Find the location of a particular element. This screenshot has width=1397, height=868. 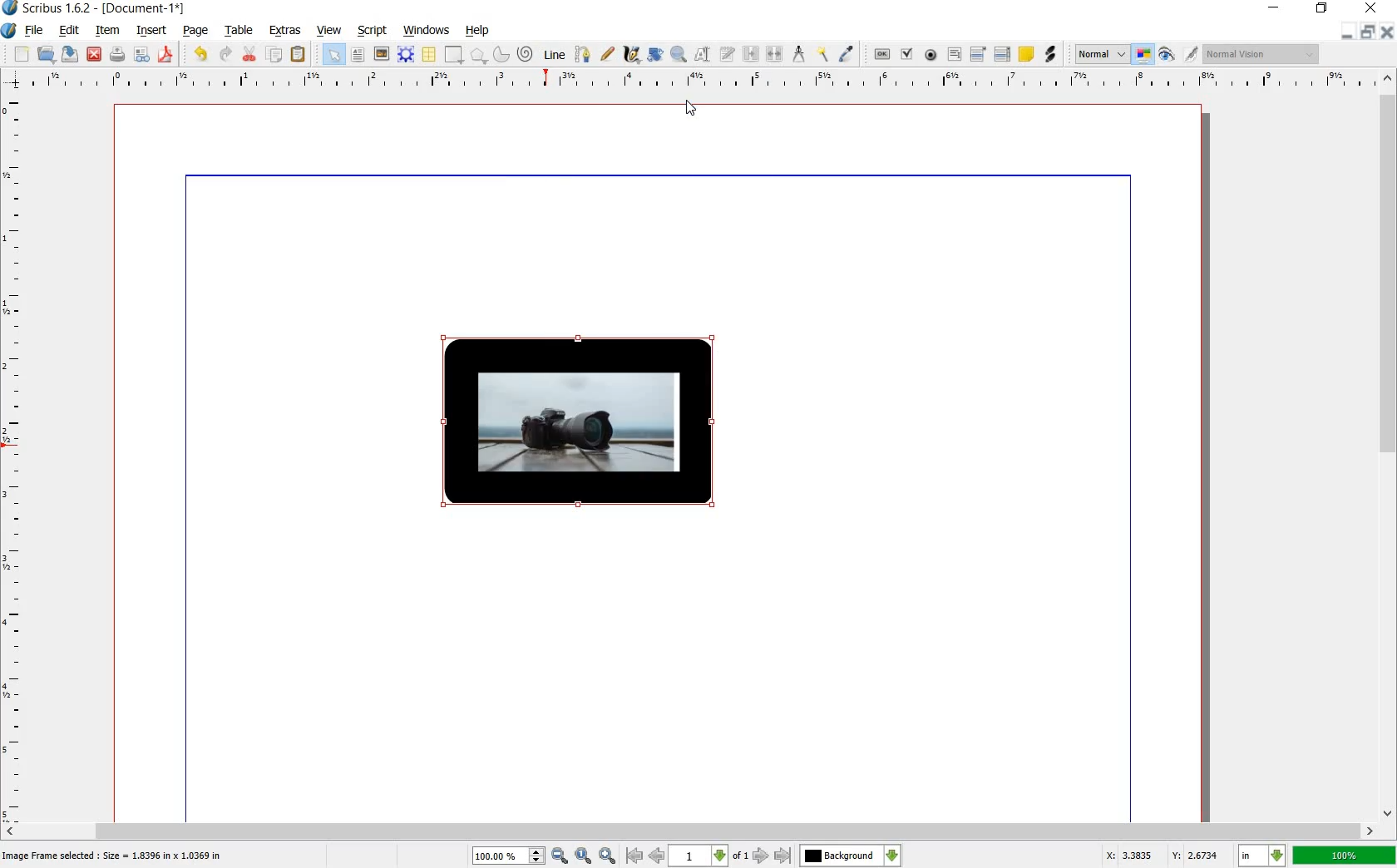

visual appearance of the display is located at coordinates (1260, 55).